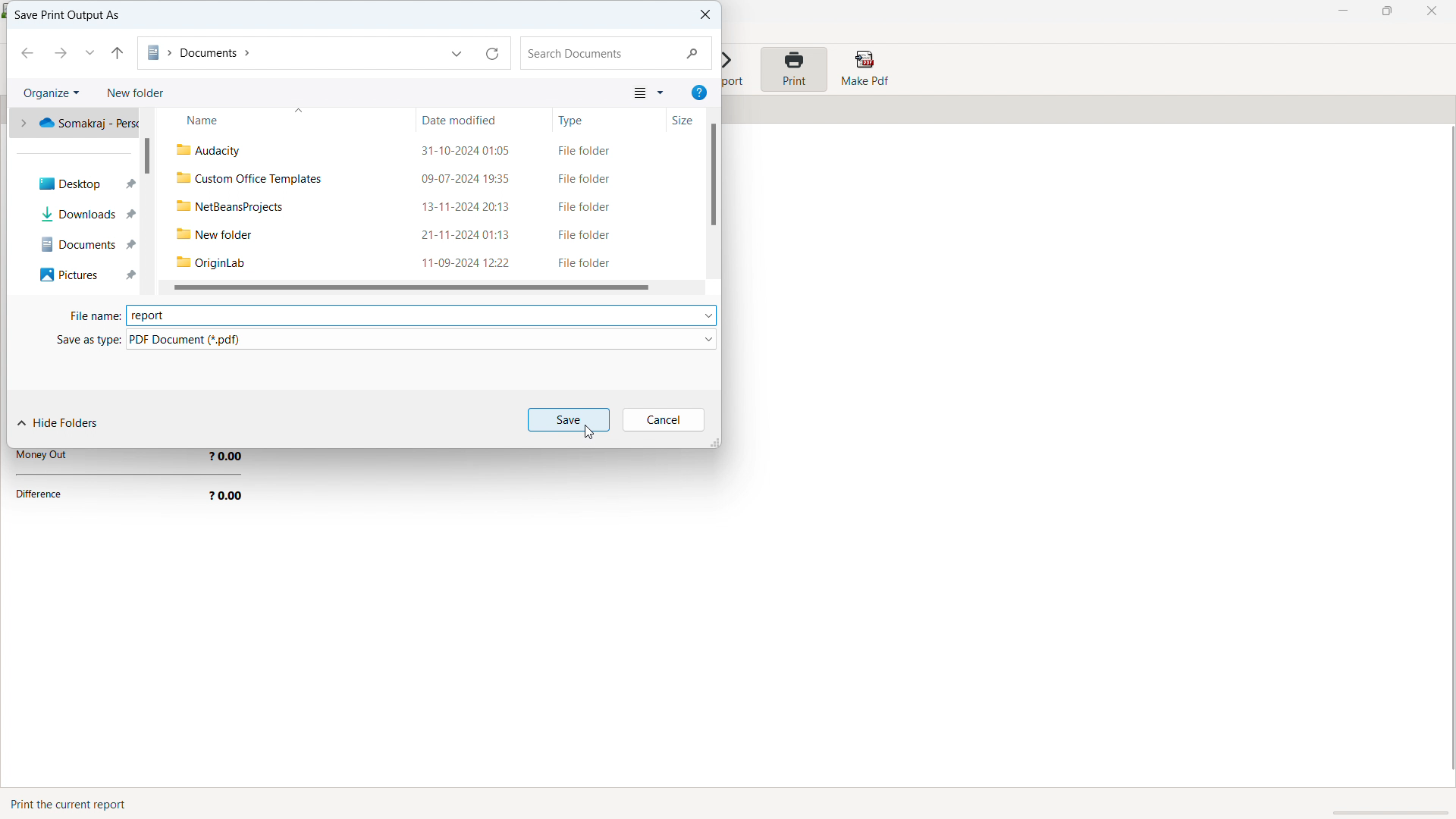  I want to click on Documents #, so click(81, 241).